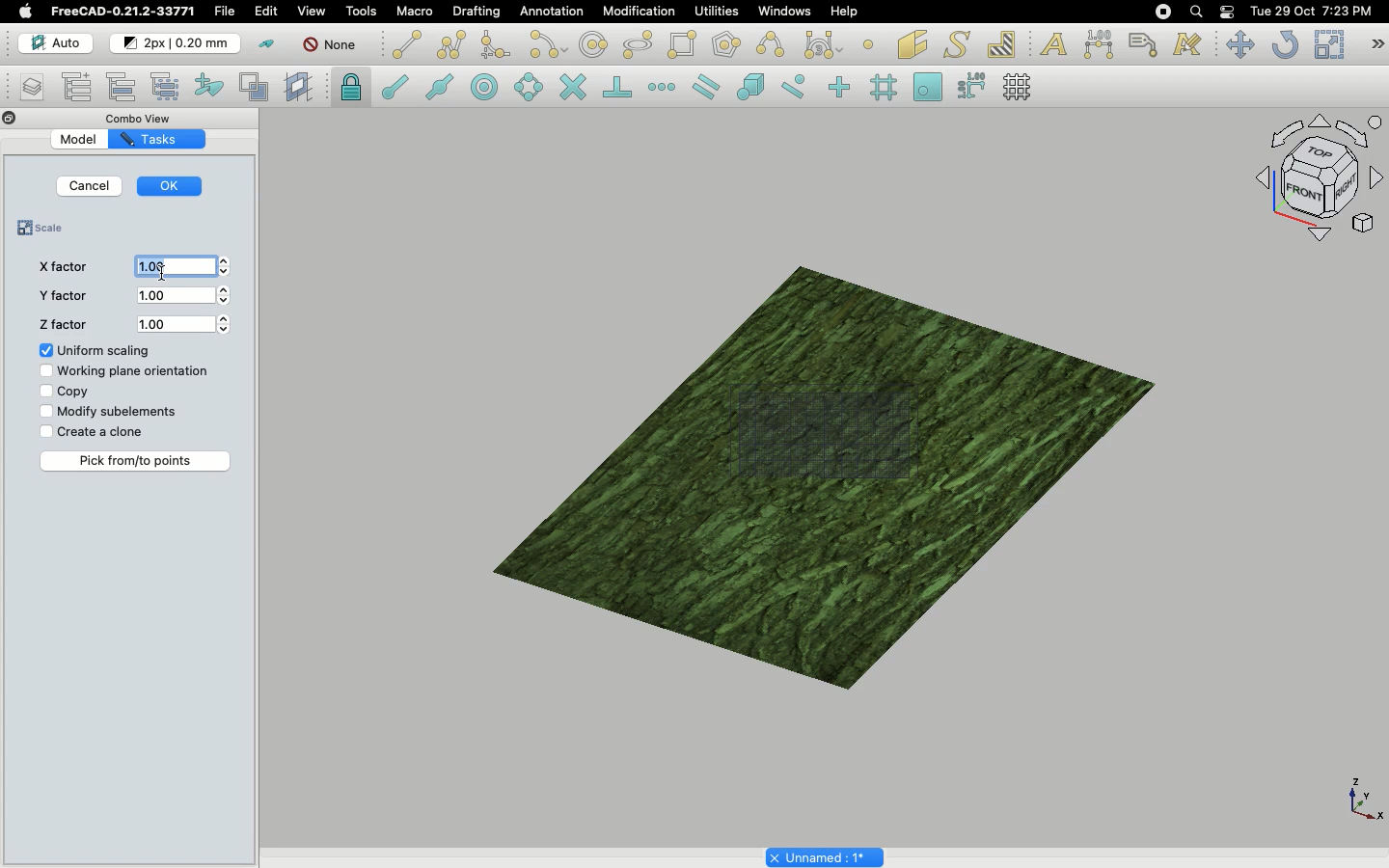 This screenshot has width=1389, height=868. What do you see at coordinates (46, 230) in the screenshot?
I see `Scale` at bounding box center [46, 230].